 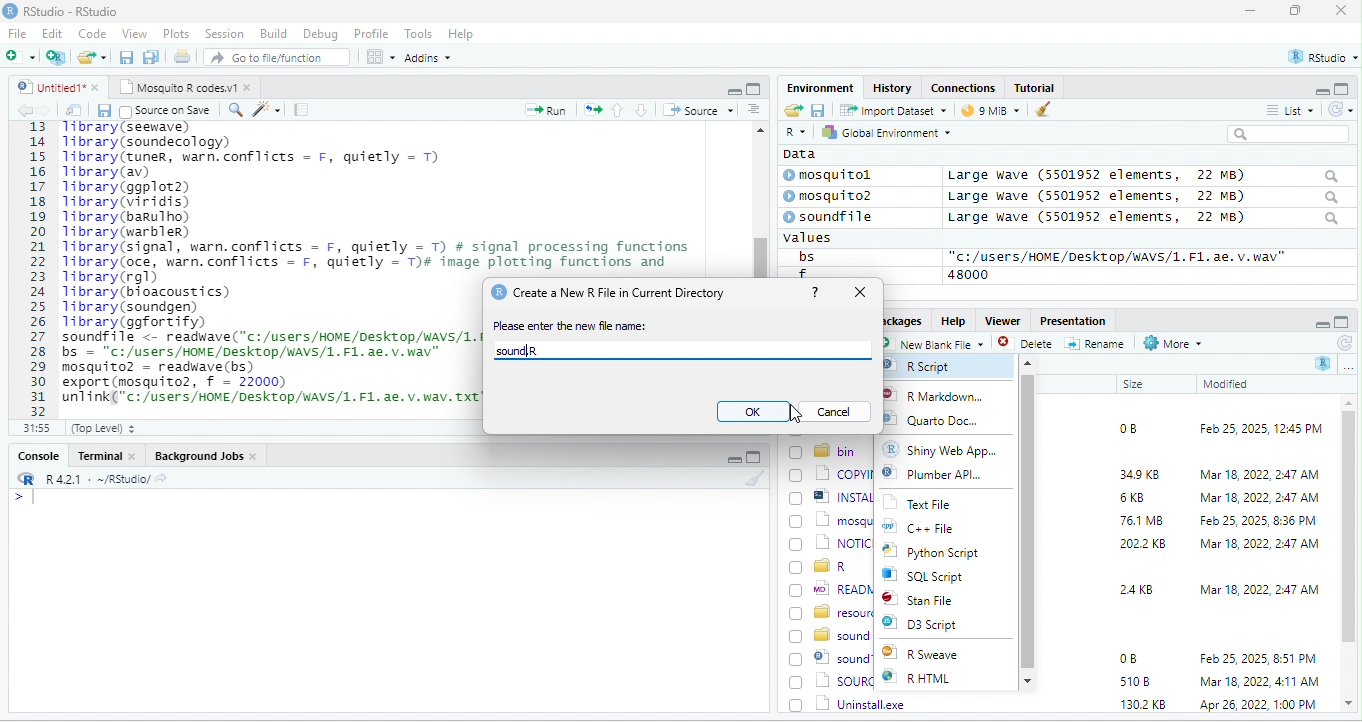 I want to click on  More , so click(x=1171, y=344).